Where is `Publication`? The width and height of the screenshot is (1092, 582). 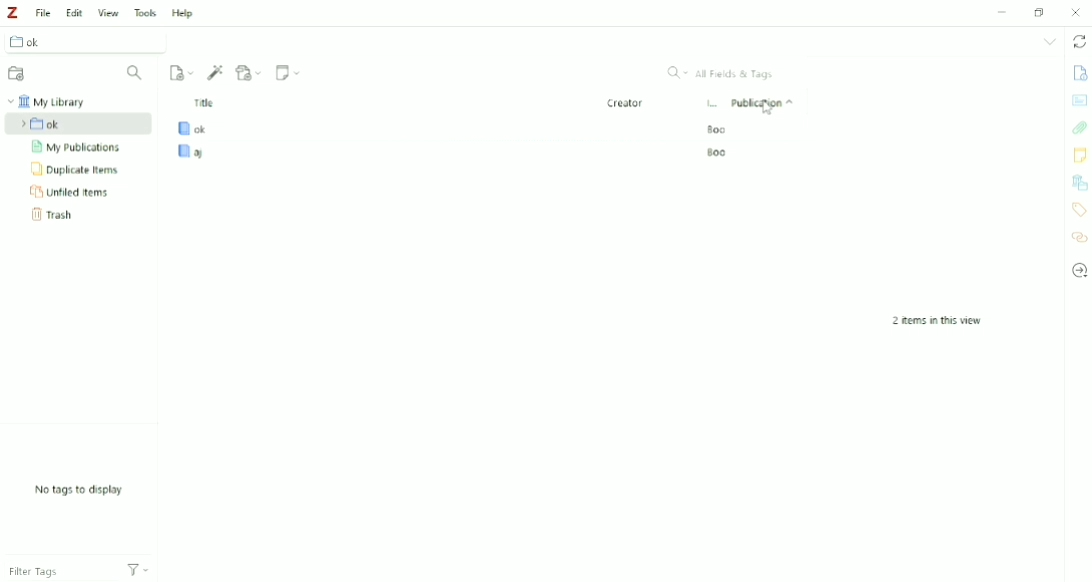
Publication is located at coordinates (762, 105).